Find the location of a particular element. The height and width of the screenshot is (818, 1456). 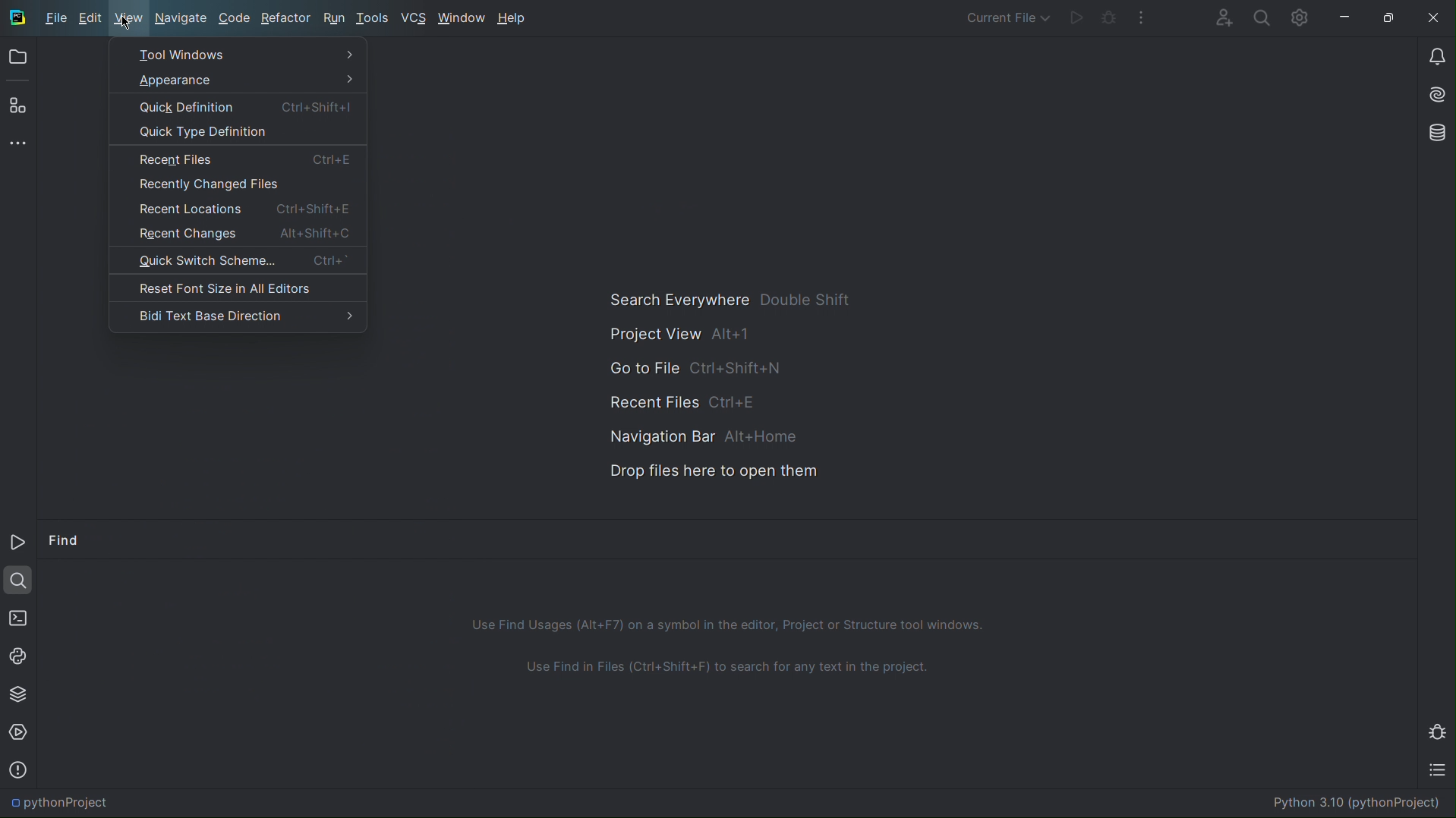

Window is located at coordinates (461, 19).